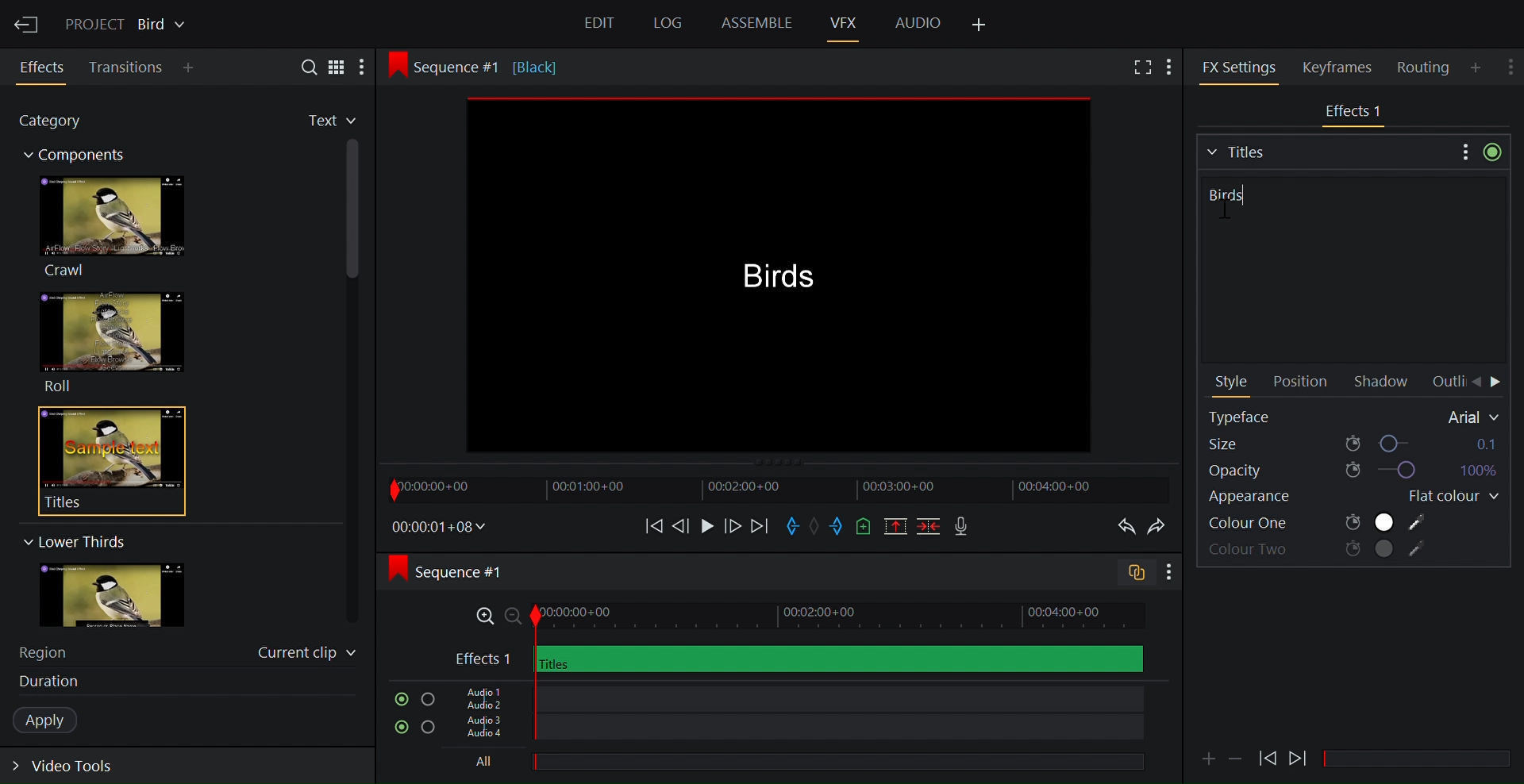 Image resolution: width=1524 pixels, height=784 pixels. Describe the element at coordinates (1478, 67) in the screenshot. I see `Add Panel` at that location.